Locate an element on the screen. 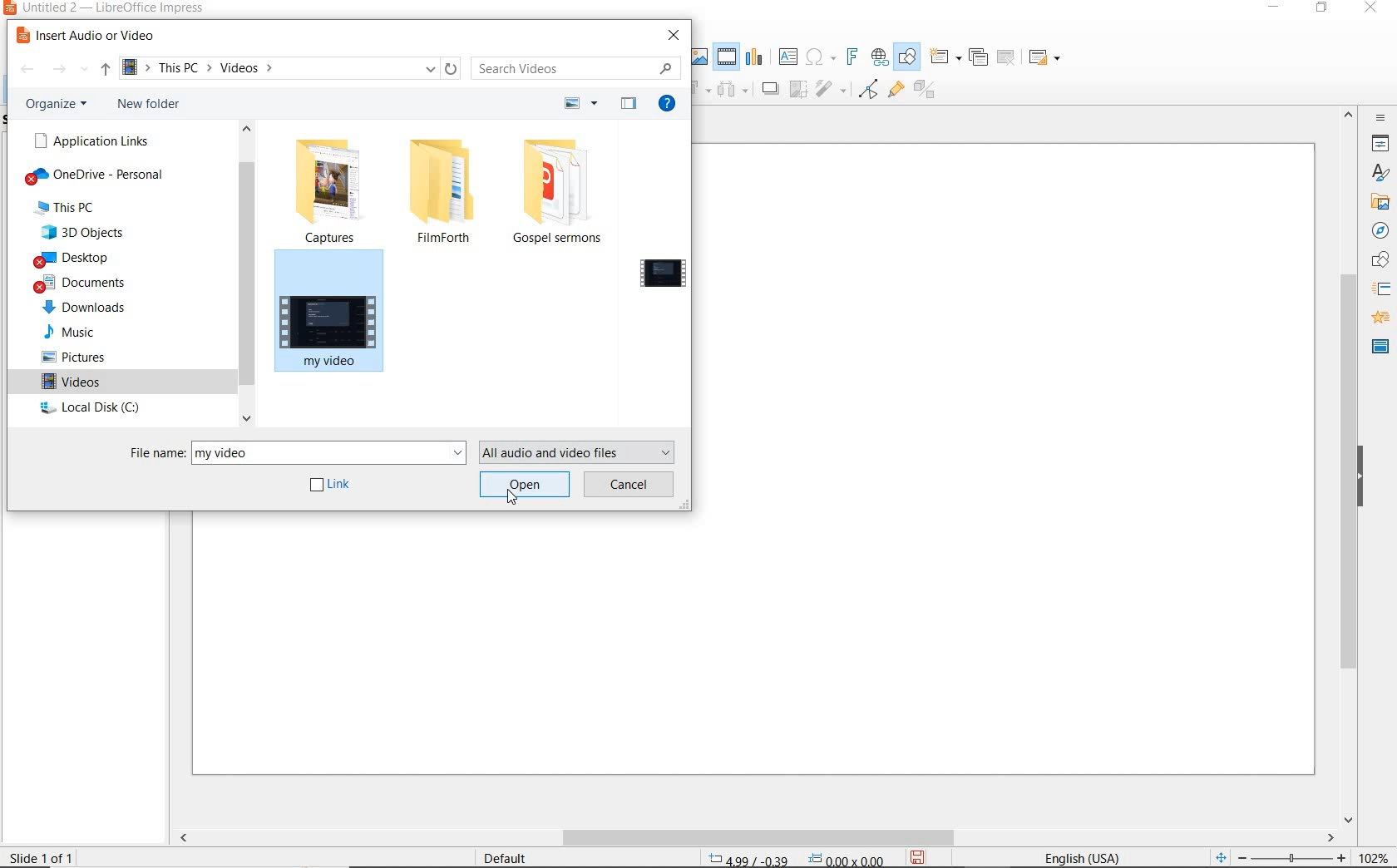 The width and height of the screenshot is (1397, 868). FILE NAME is located at coordinates (106, 9).